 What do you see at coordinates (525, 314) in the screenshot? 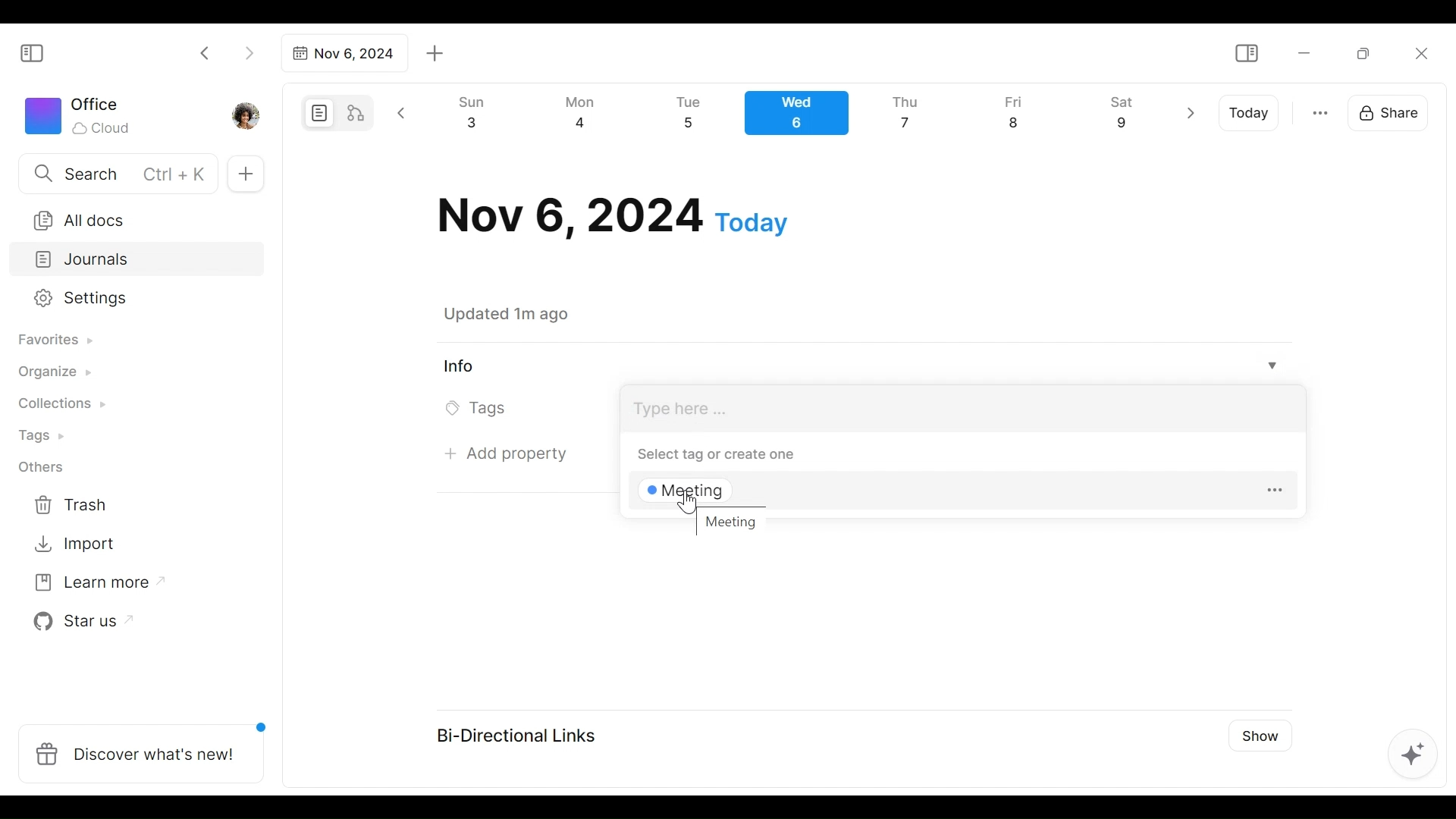
I see `Saved` at bounding box center [525, 314].